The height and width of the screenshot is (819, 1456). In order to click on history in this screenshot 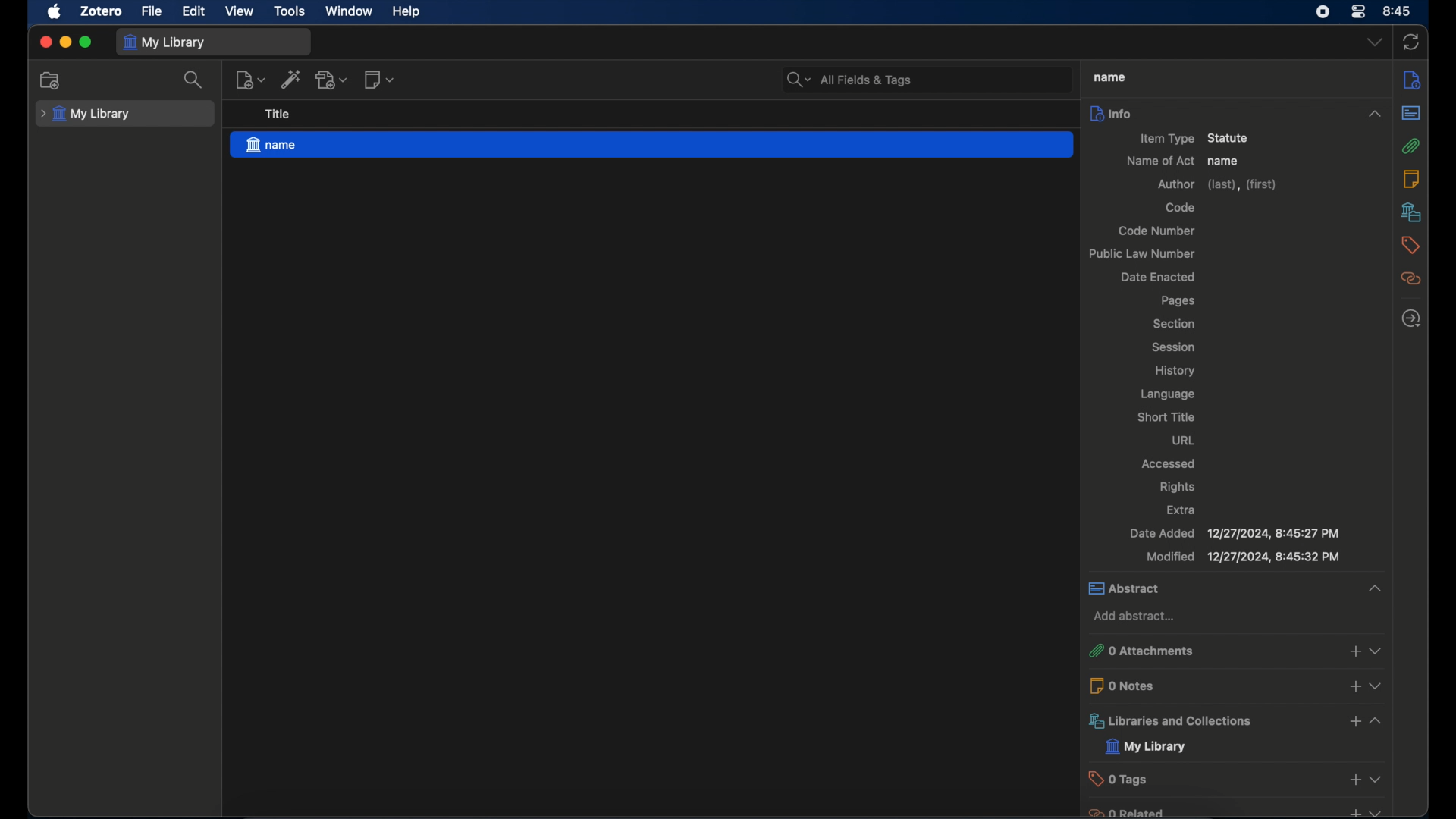, I will do `click(1175, 372)`.